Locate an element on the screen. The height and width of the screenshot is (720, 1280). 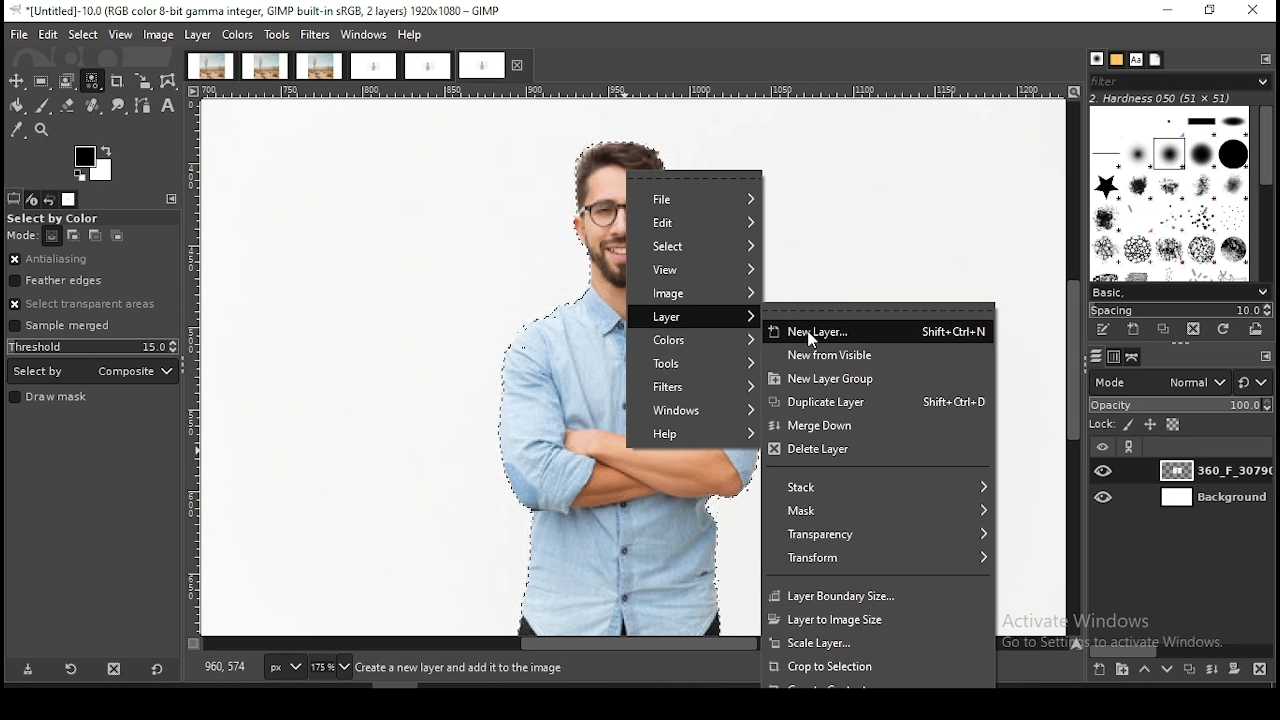
units is located at coordinates (284, 667).